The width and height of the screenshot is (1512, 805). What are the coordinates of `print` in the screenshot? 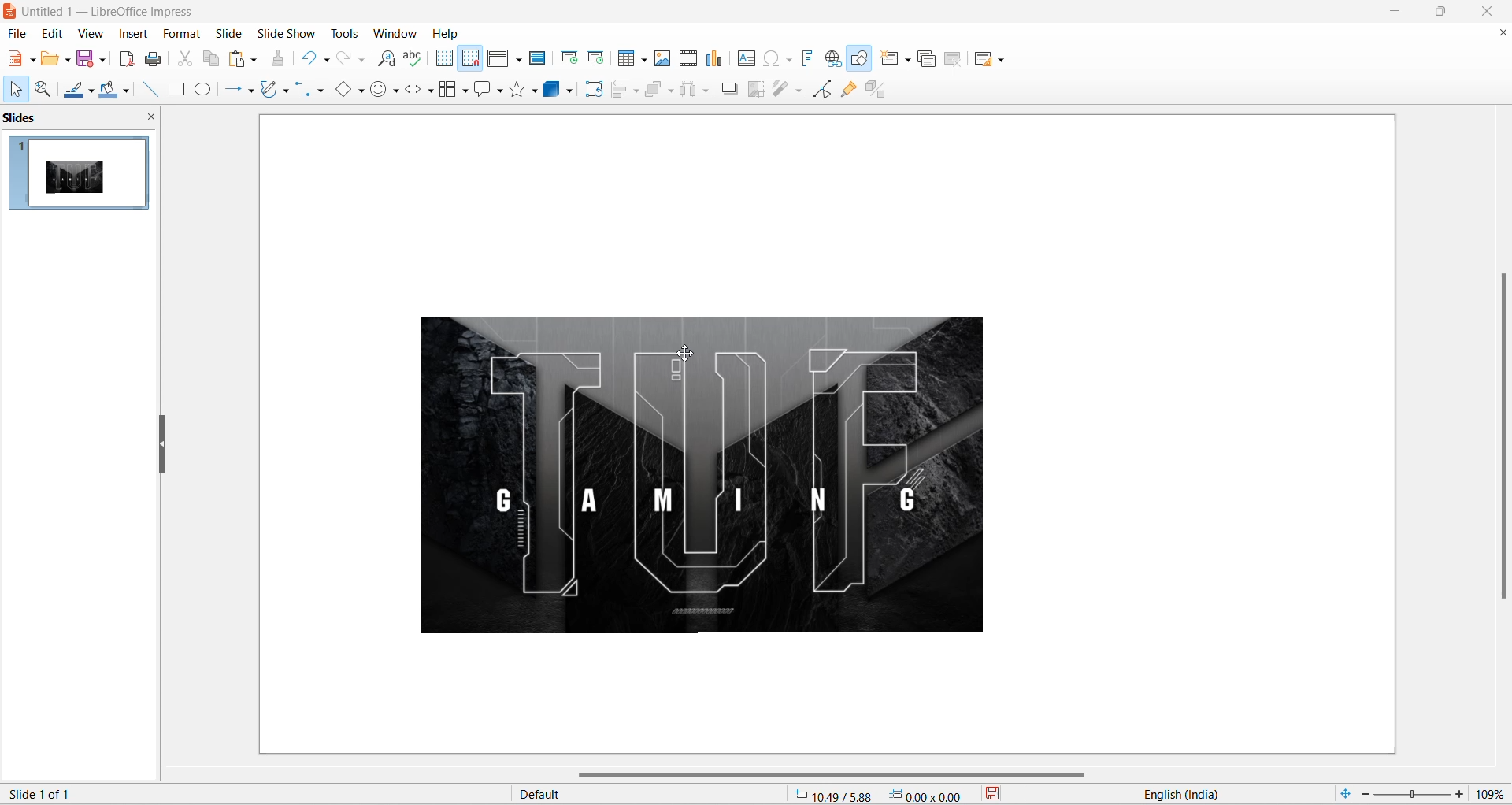 It's located at (158, 59).